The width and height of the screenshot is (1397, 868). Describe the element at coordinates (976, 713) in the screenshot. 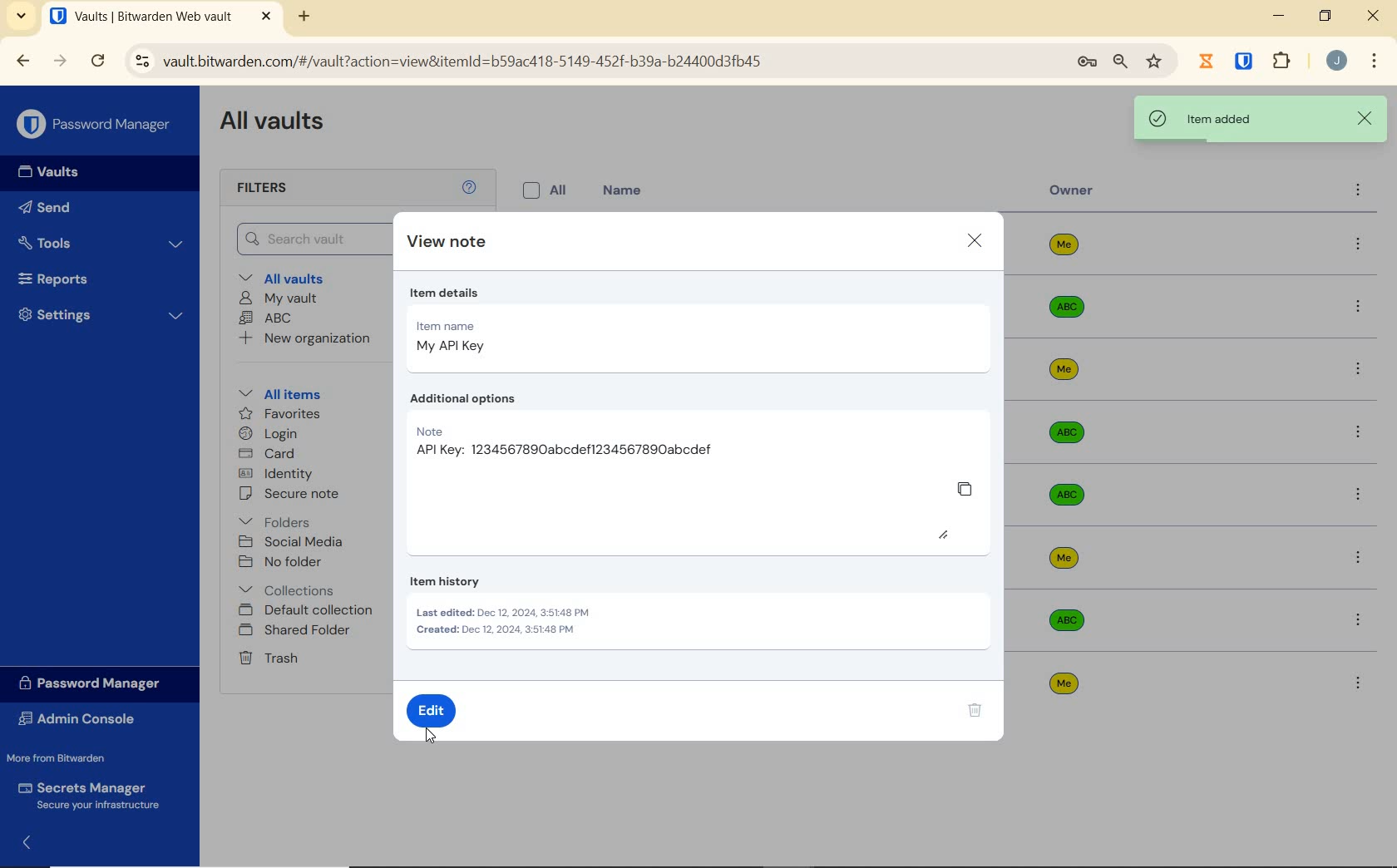

I see `delete` at that location.